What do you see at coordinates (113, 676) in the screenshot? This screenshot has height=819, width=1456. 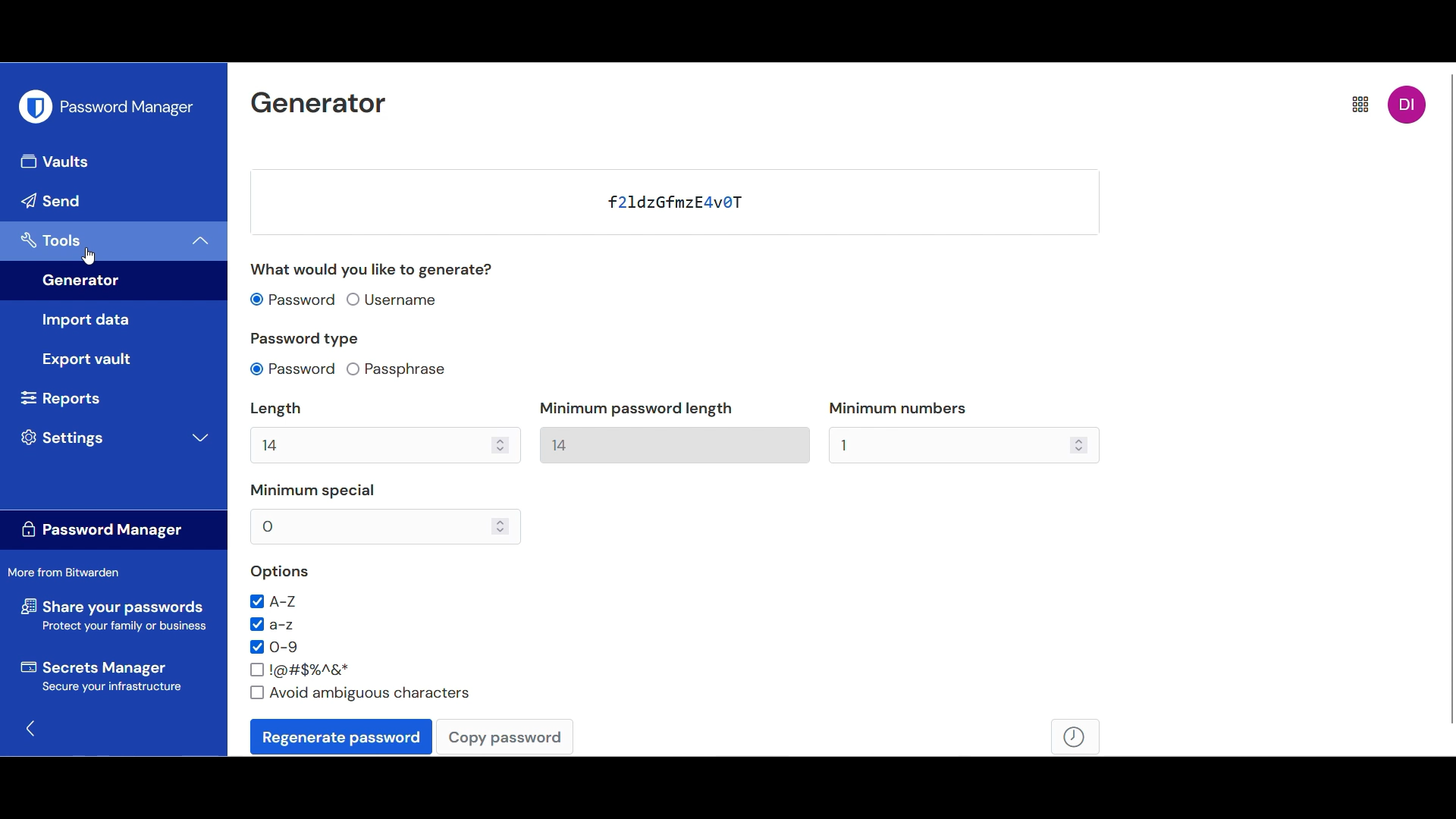 I see `Secrets manager` at bounding box center [113, 676].